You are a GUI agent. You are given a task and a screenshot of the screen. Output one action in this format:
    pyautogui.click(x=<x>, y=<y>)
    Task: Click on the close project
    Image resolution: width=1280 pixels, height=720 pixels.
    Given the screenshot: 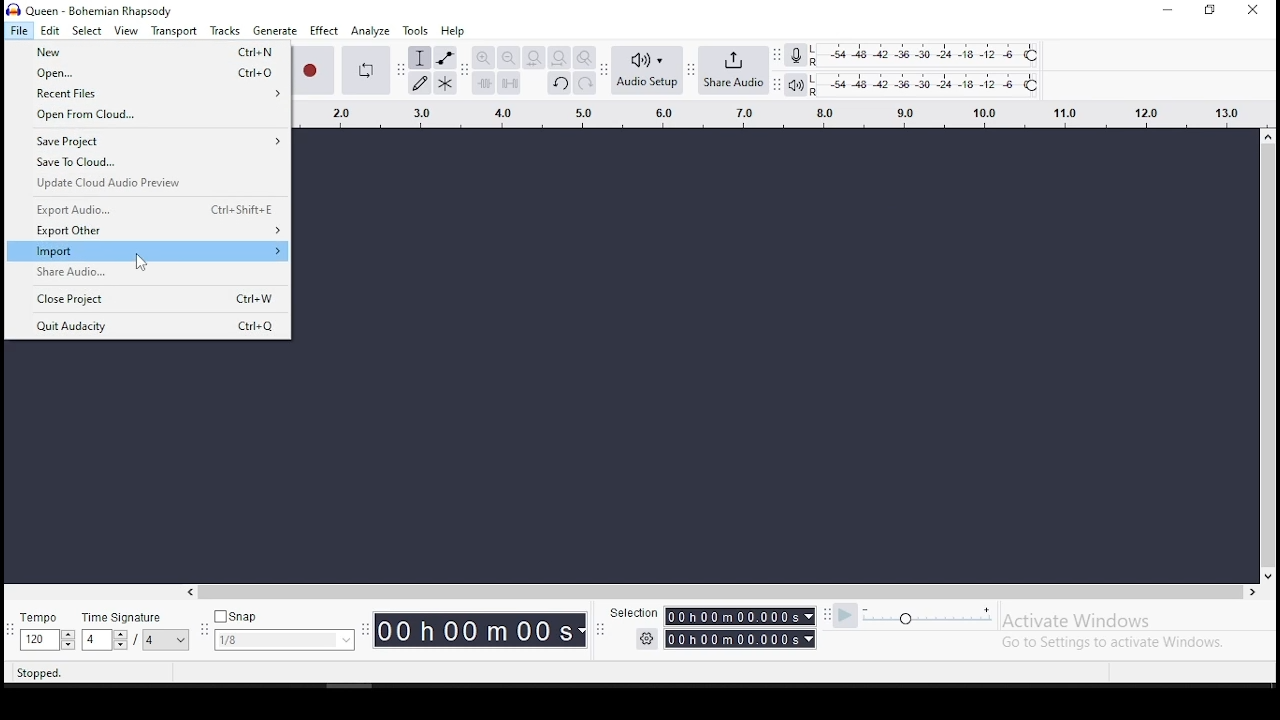 What is the action you would take?
    pyautogui.click(x=149, y=298)
    